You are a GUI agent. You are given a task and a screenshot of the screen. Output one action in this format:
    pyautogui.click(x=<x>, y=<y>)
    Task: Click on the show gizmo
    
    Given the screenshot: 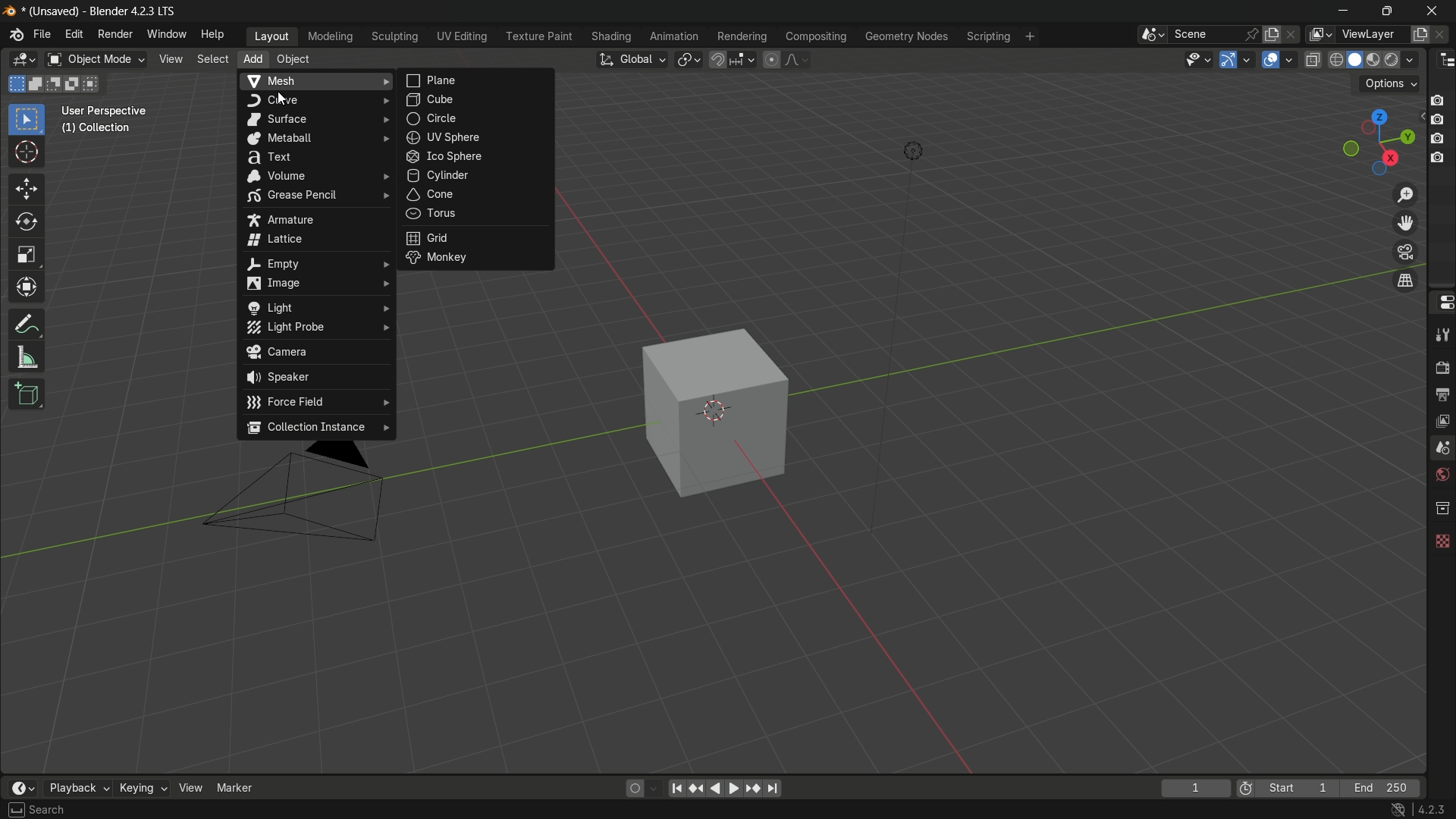 What is the action you would take?
    pyautogui.click(x=1227, y=59)
    